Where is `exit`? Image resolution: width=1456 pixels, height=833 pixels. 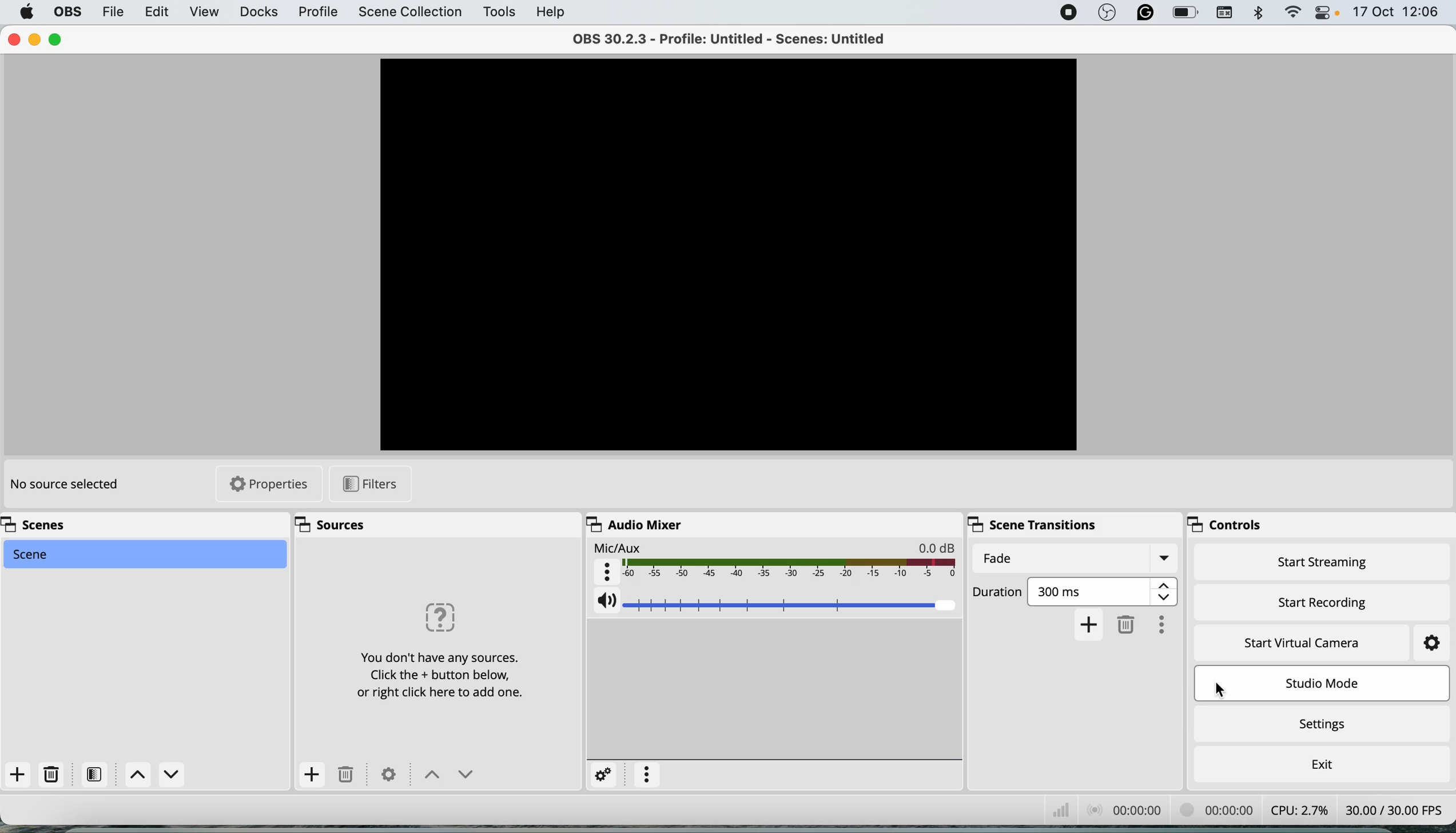
exit is located at coordinates (1323, 763).